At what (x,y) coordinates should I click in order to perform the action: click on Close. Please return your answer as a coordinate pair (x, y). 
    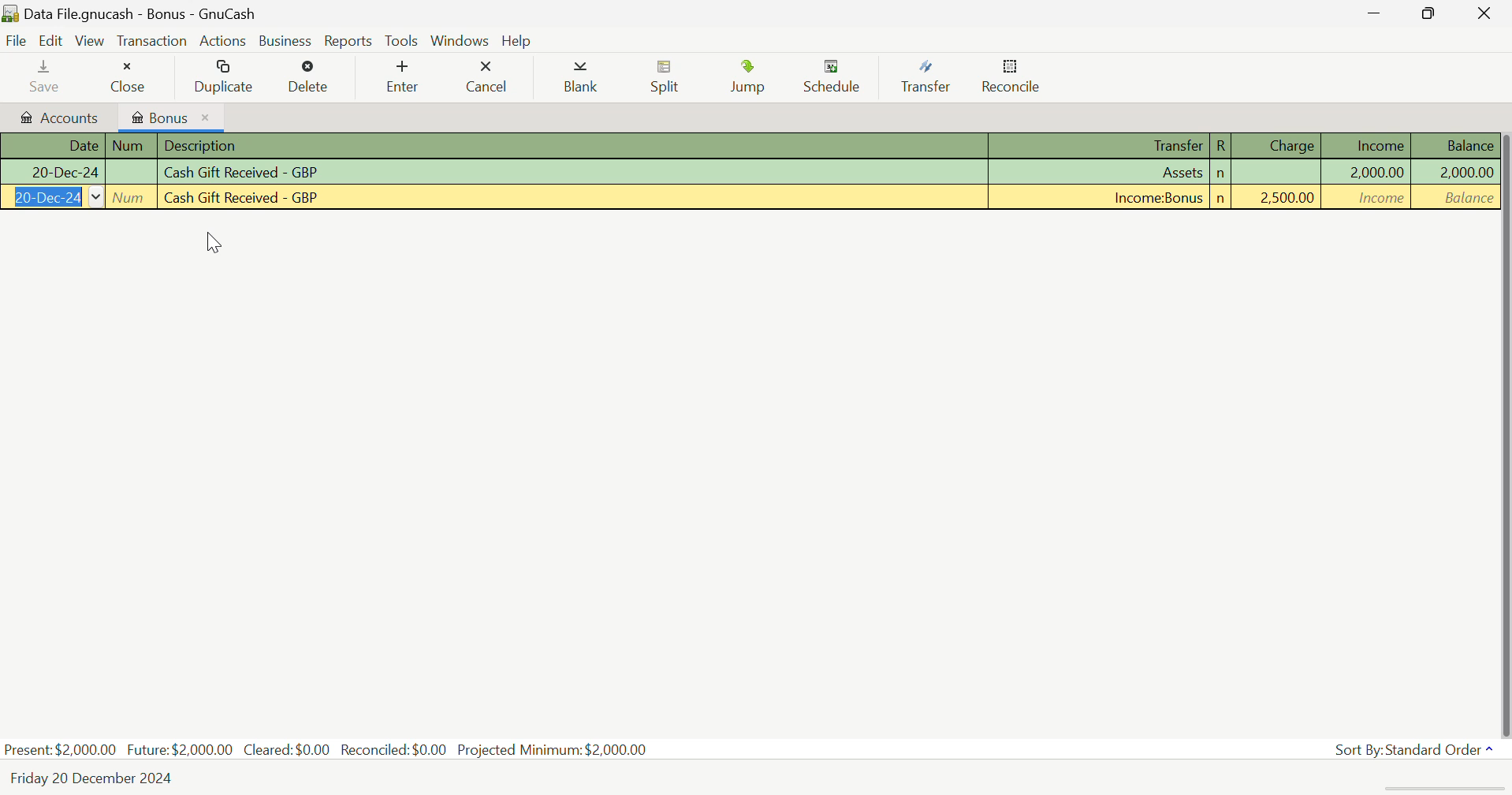
    Looking at the image, I should click on (127, 73).